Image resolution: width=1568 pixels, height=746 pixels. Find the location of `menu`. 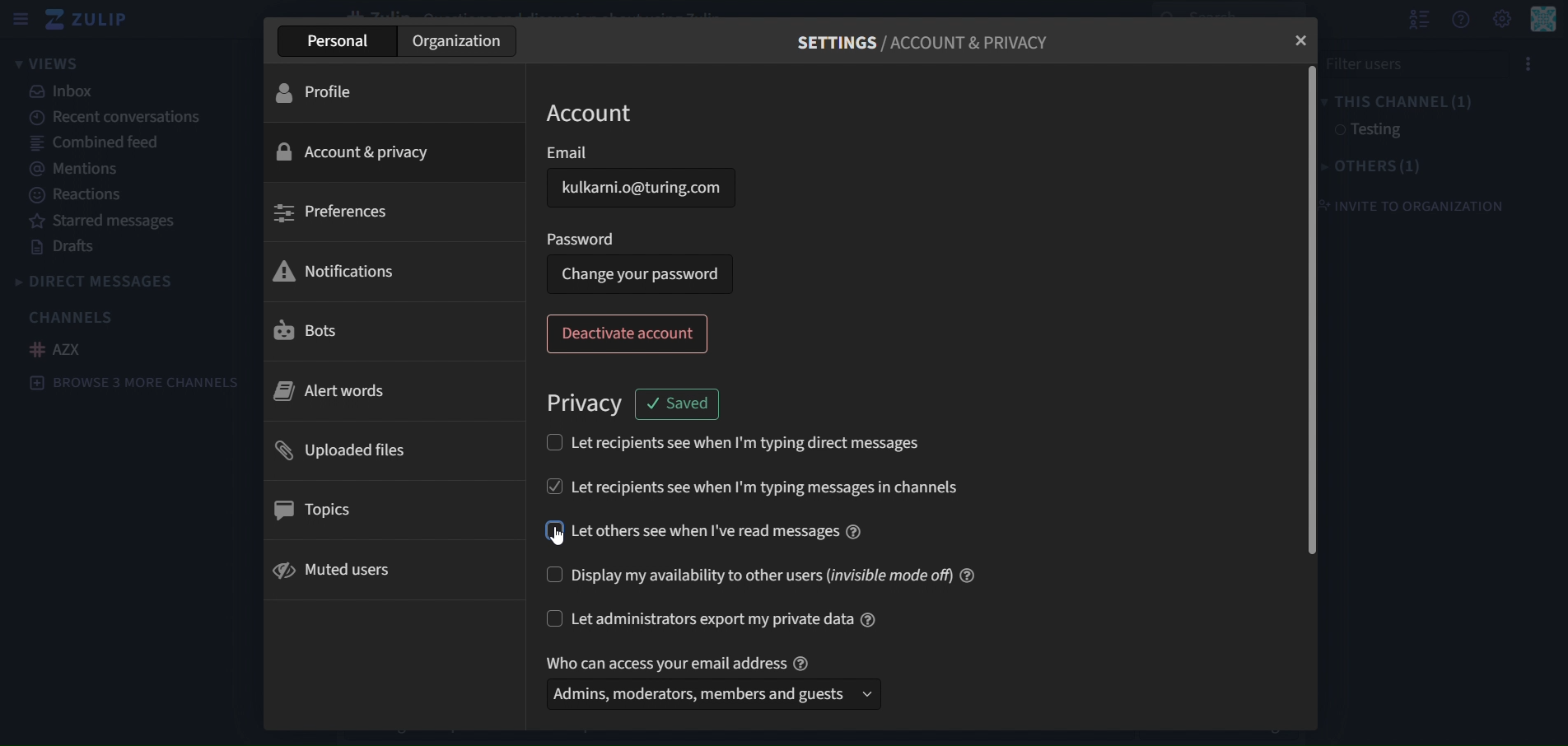

menu is located at coordinates (1526, 65).